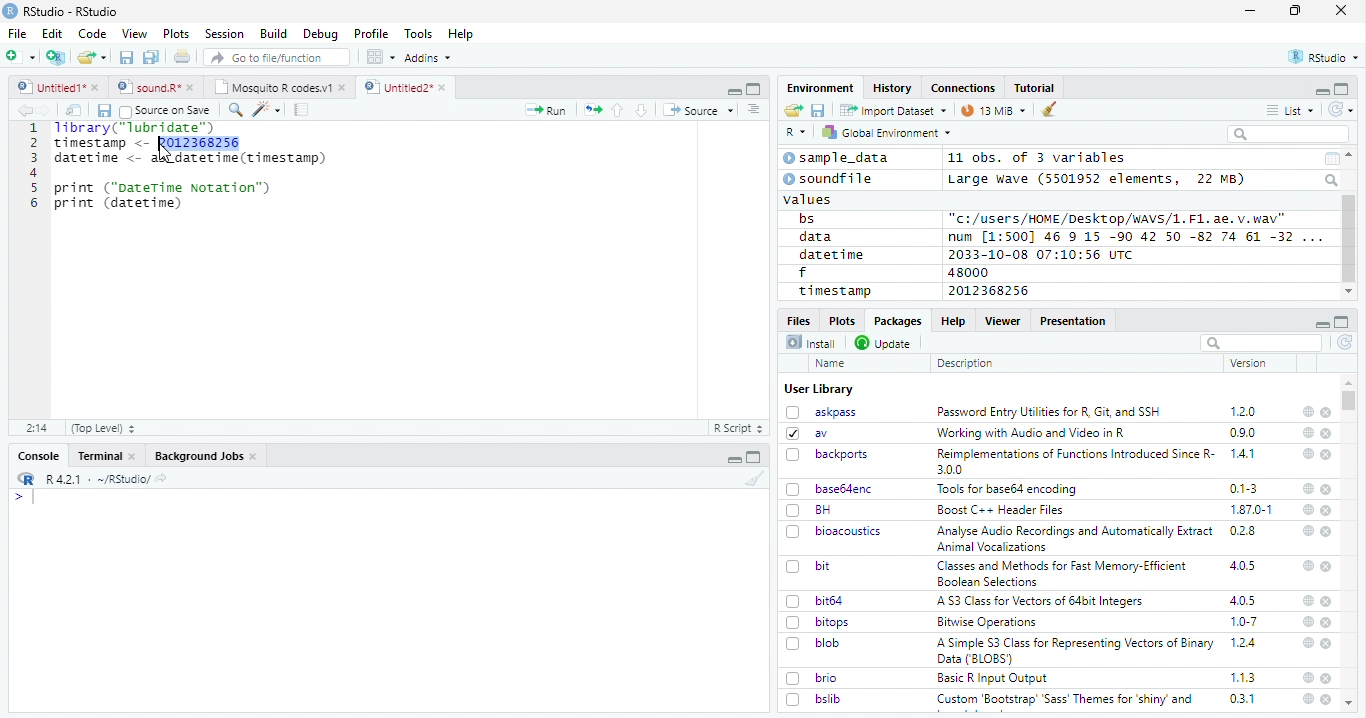 The image size is (1366, 718). Describe the element at coordinates (1306, 642) in the screenshot. I see `help` at that location.